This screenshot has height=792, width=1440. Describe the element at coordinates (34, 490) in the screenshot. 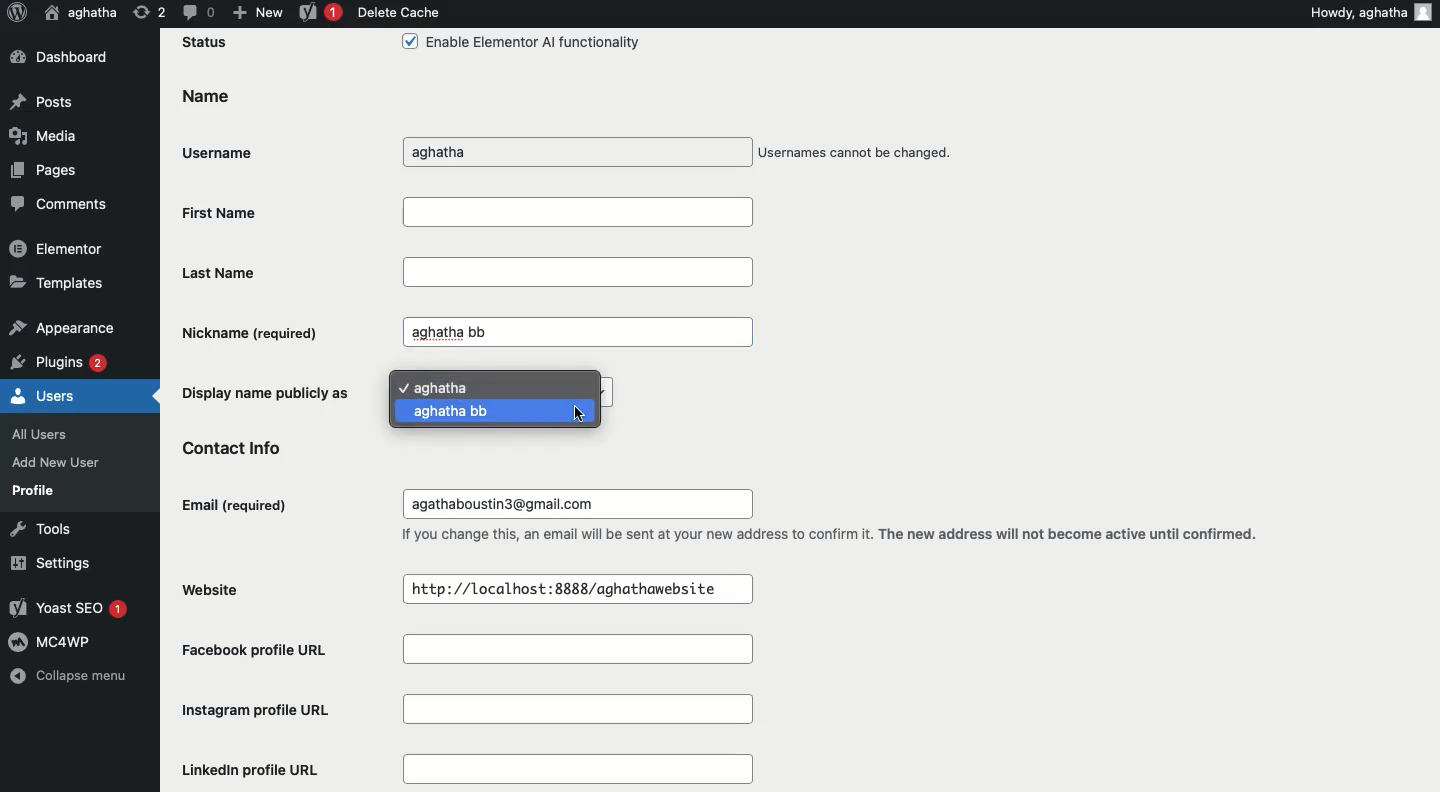

I see `Profile` at that location.